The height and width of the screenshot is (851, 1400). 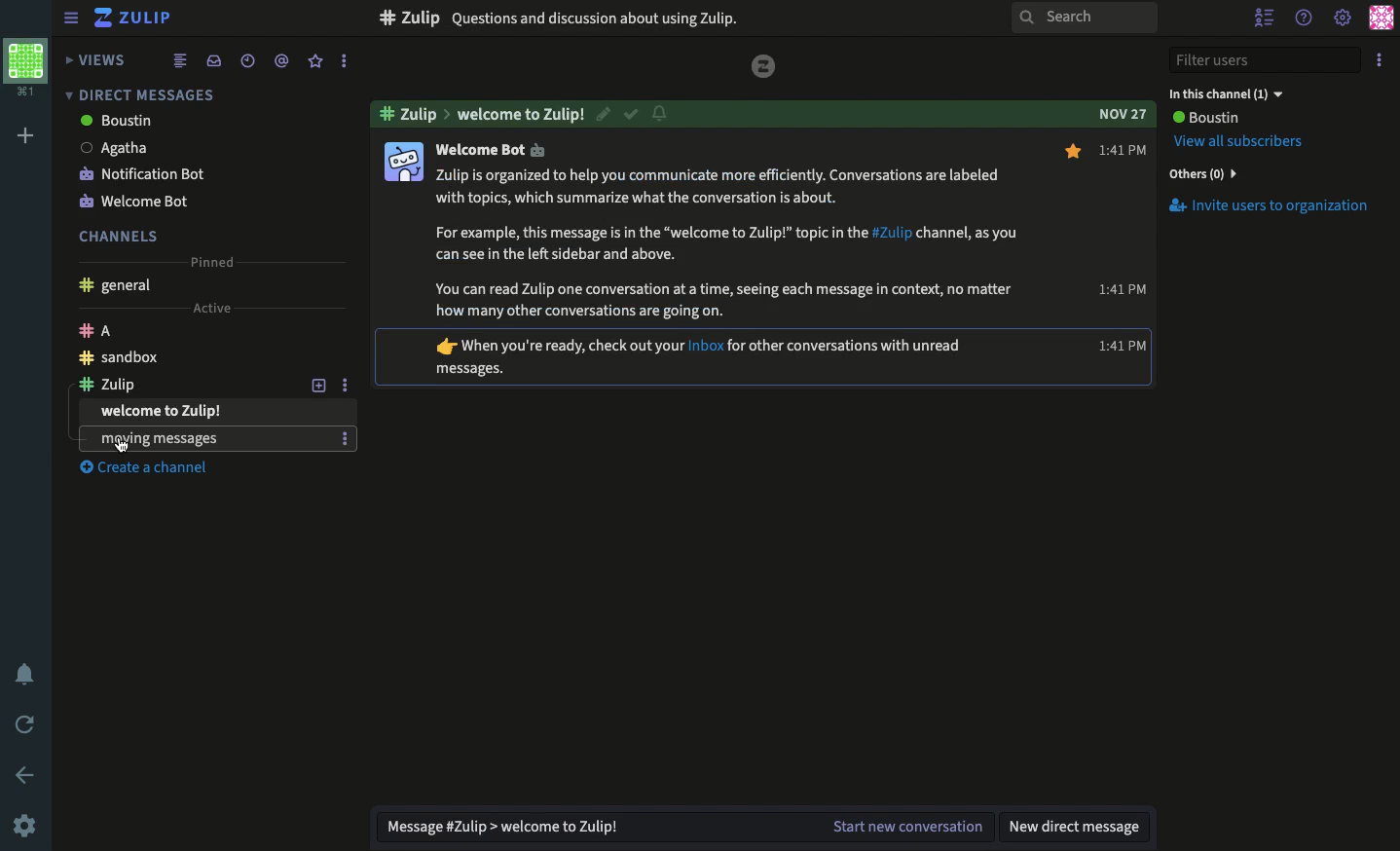 I want to click on Help, so click(x=1305, y=15).